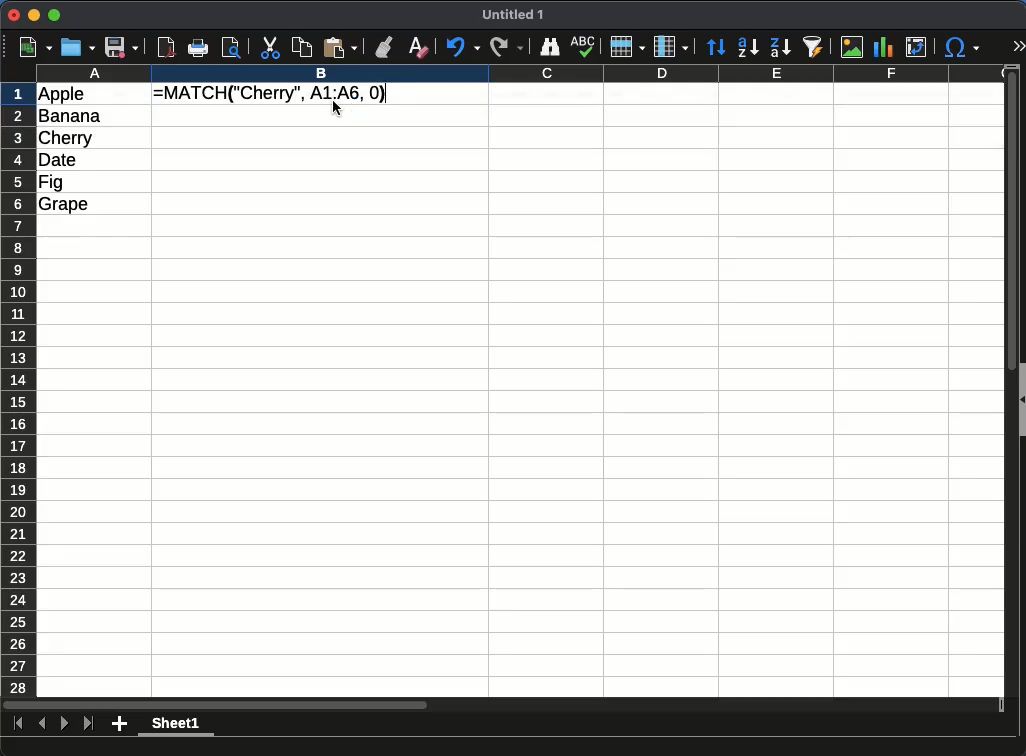  What do you see at coordinates (14, 15) in the screenshot?
I see `close` at bounding box center [14, 15].